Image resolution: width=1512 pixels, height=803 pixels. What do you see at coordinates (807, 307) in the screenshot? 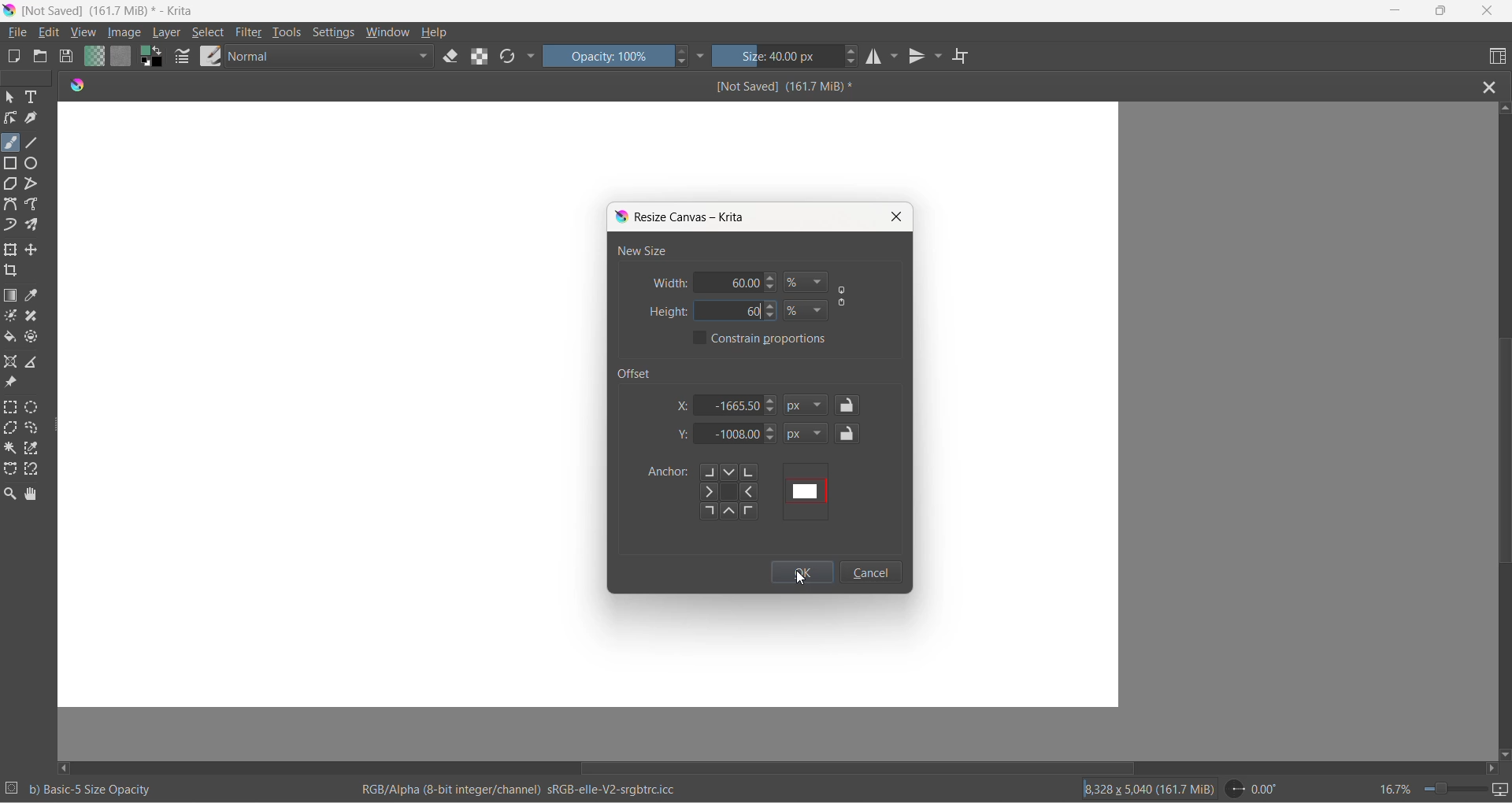
I see `height value type` at bounding box center [807, 307].